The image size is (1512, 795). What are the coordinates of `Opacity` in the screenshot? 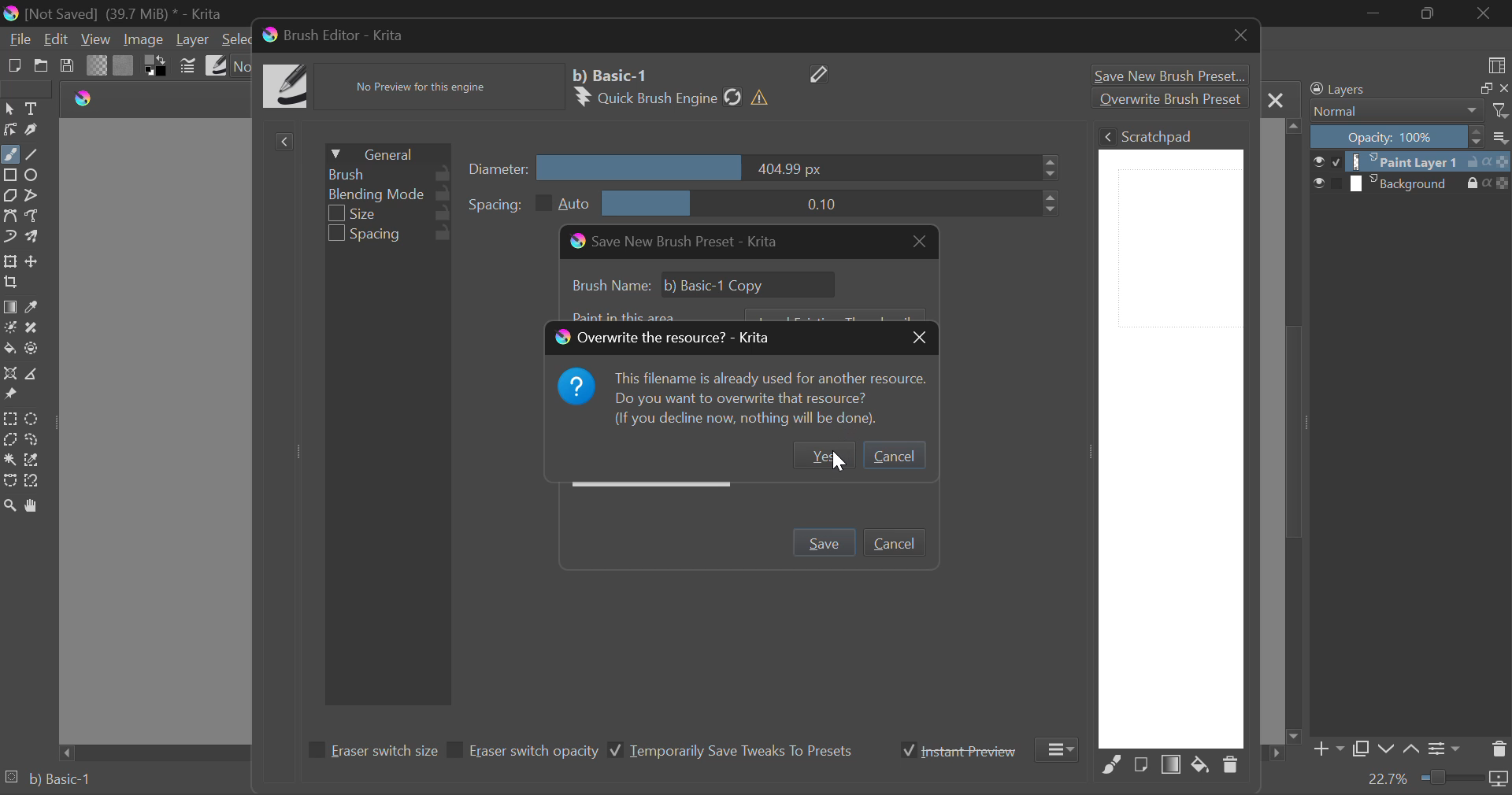 It's located at (1410, 138).